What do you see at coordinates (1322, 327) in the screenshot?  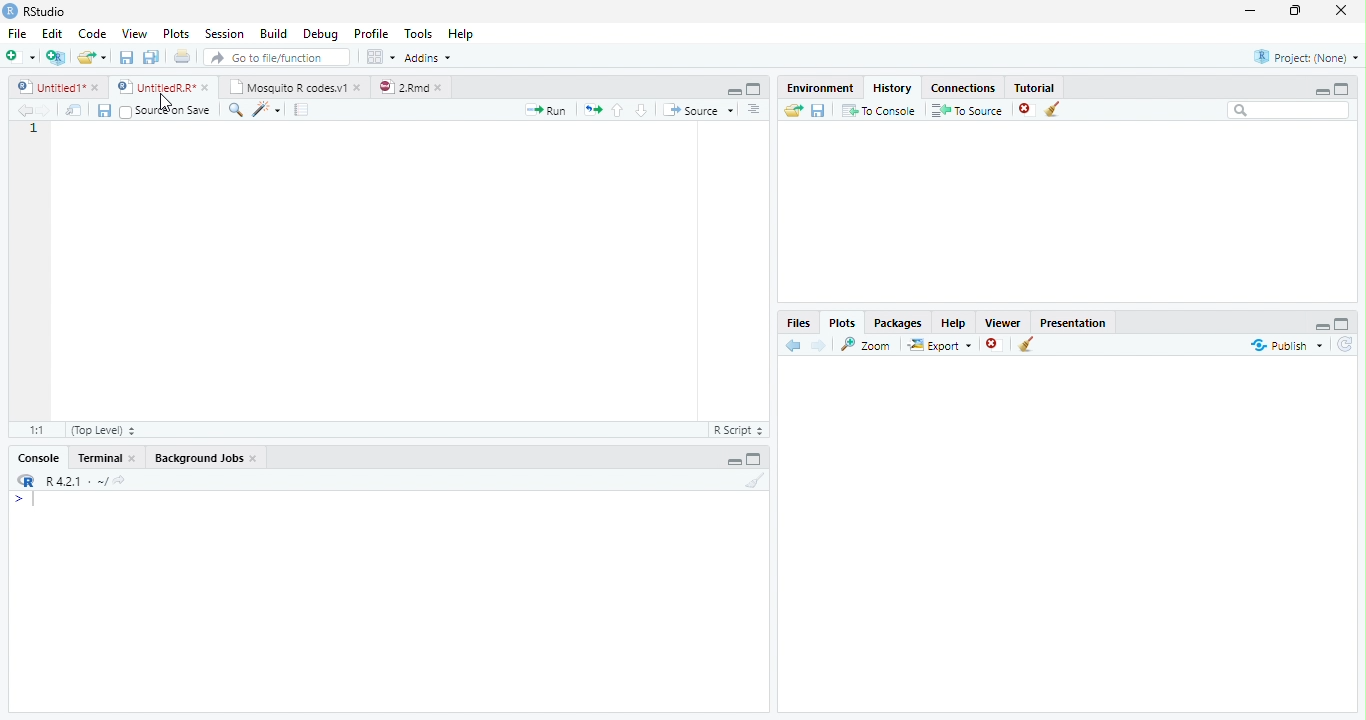 I see `Hide` at bounding box center [1322, 327].